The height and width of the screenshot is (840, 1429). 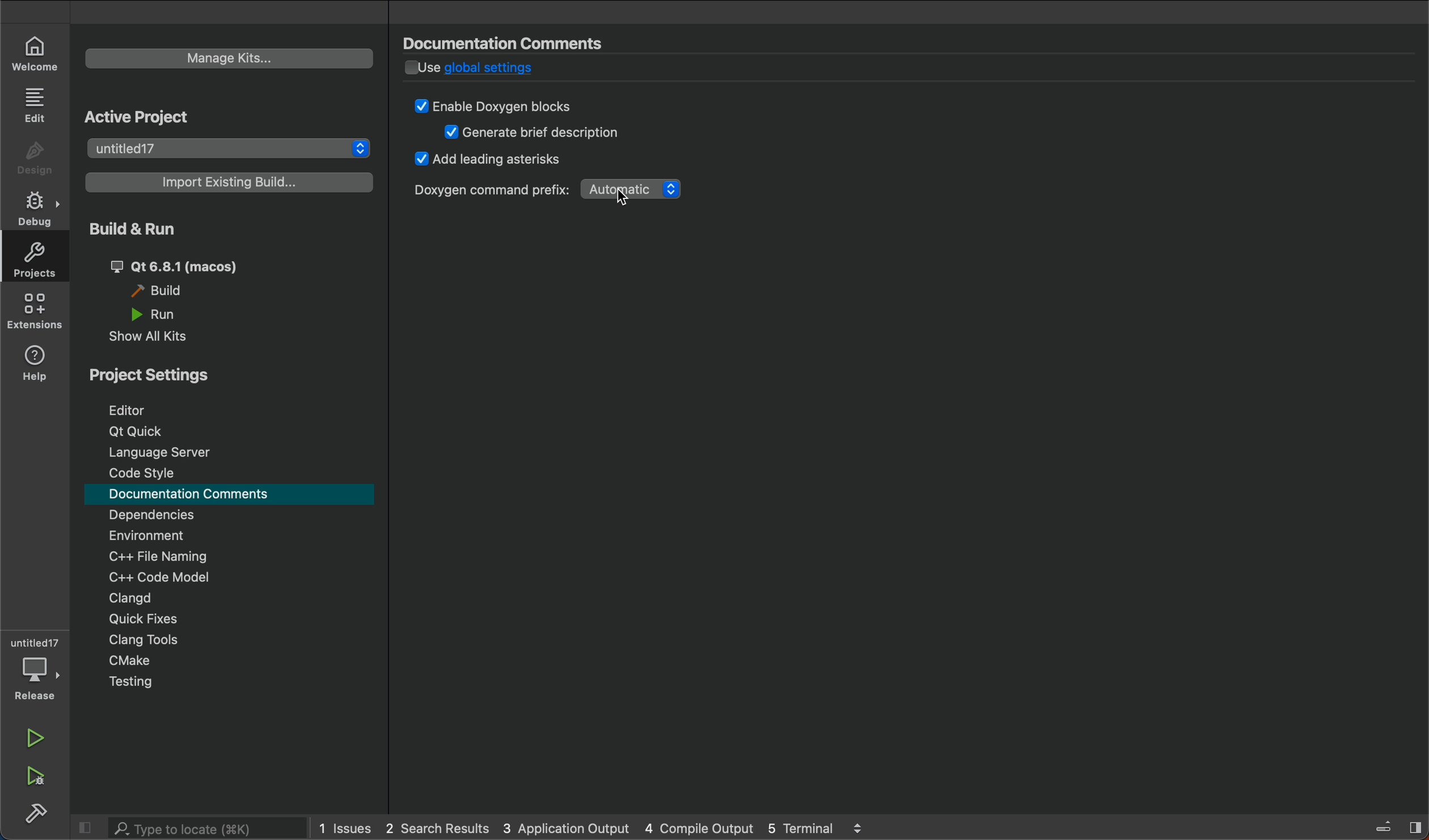 I want to click on build, so click(x=39, y=817).